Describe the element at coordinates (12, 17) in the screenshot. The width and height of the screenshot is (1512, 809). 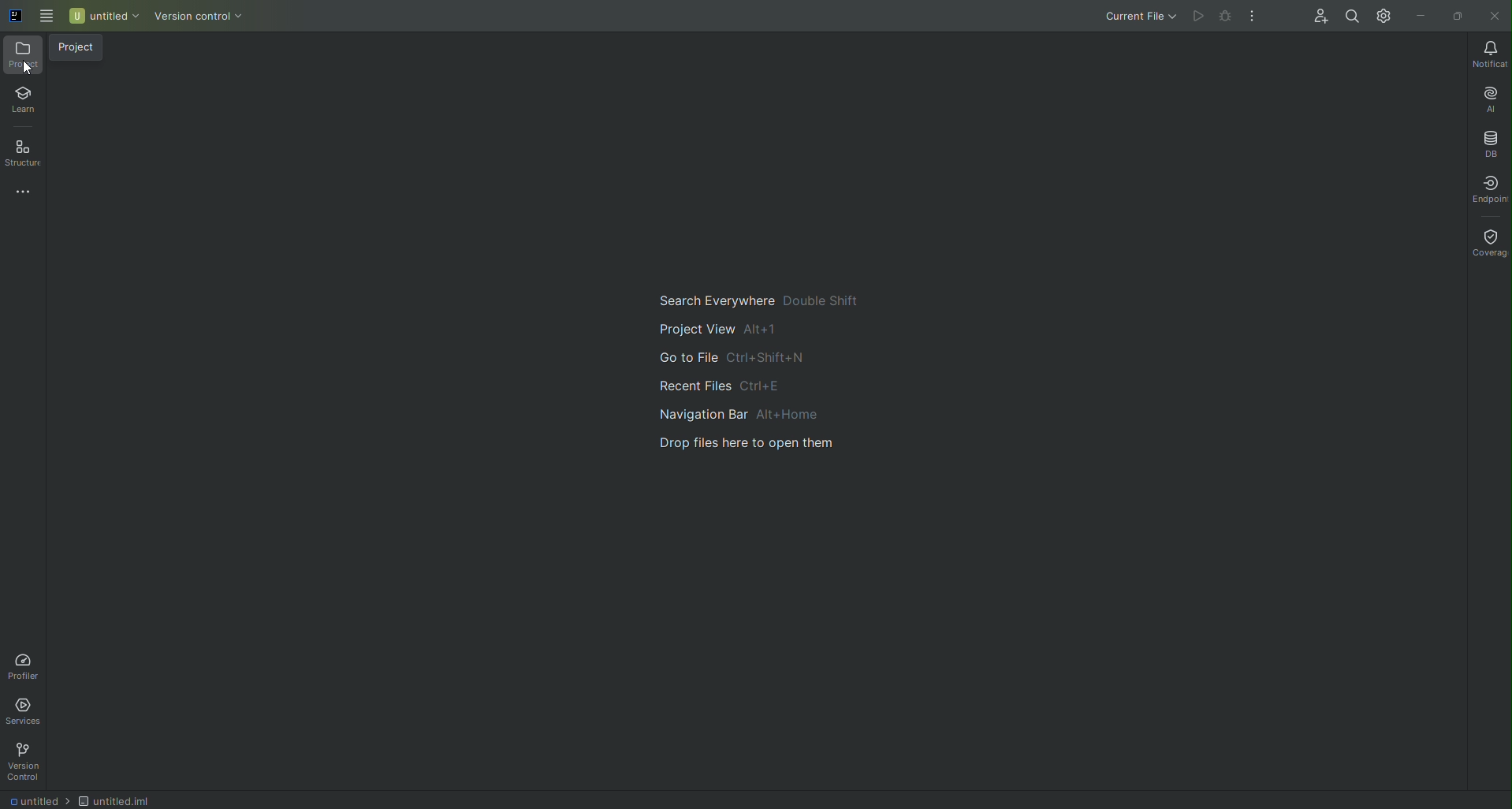
I see `Application logo` at that location.